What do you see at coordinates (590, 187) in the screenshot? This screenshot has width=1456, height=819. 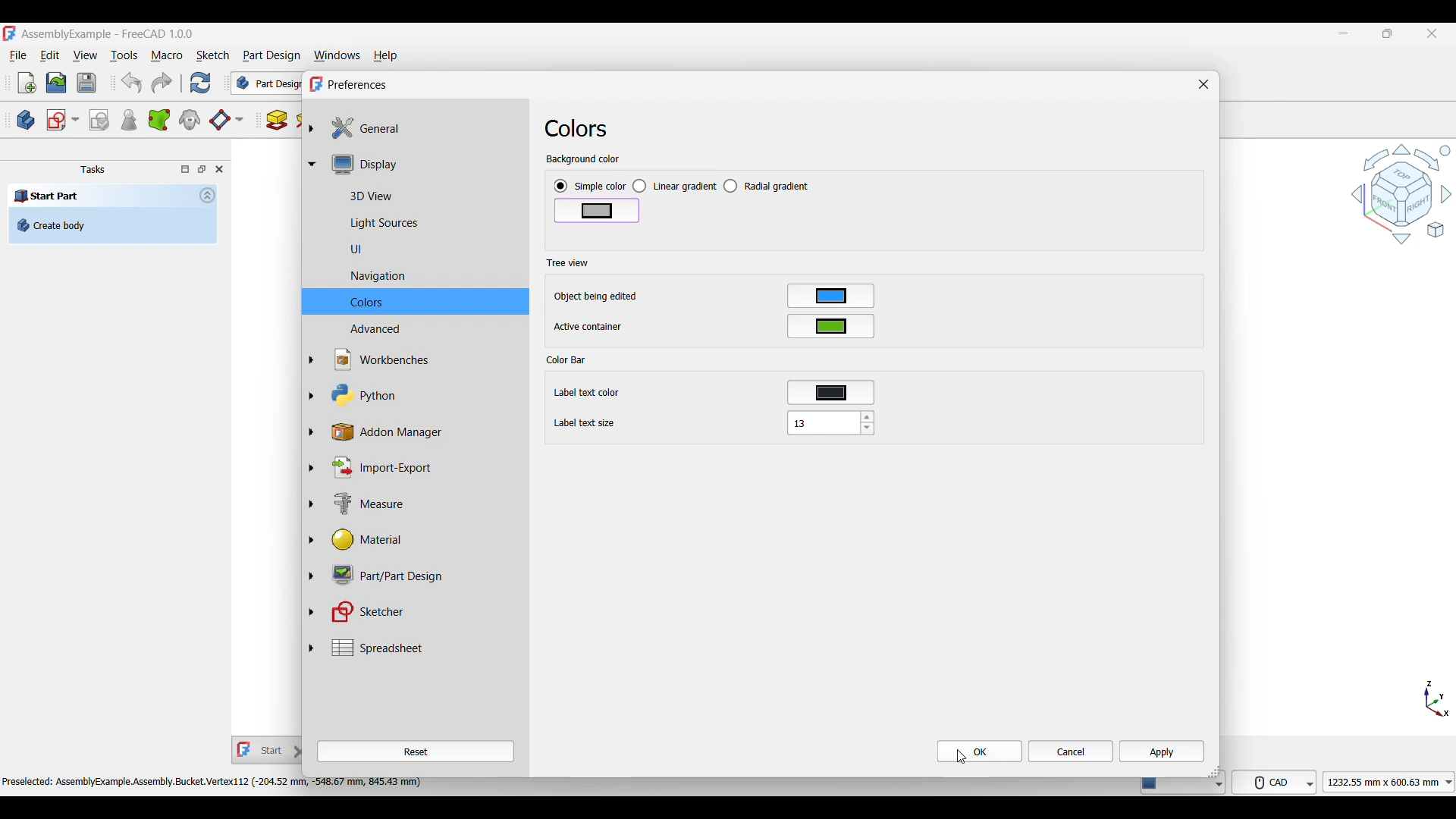 I see `Simple color gradient` at bounding box center [590, 187].